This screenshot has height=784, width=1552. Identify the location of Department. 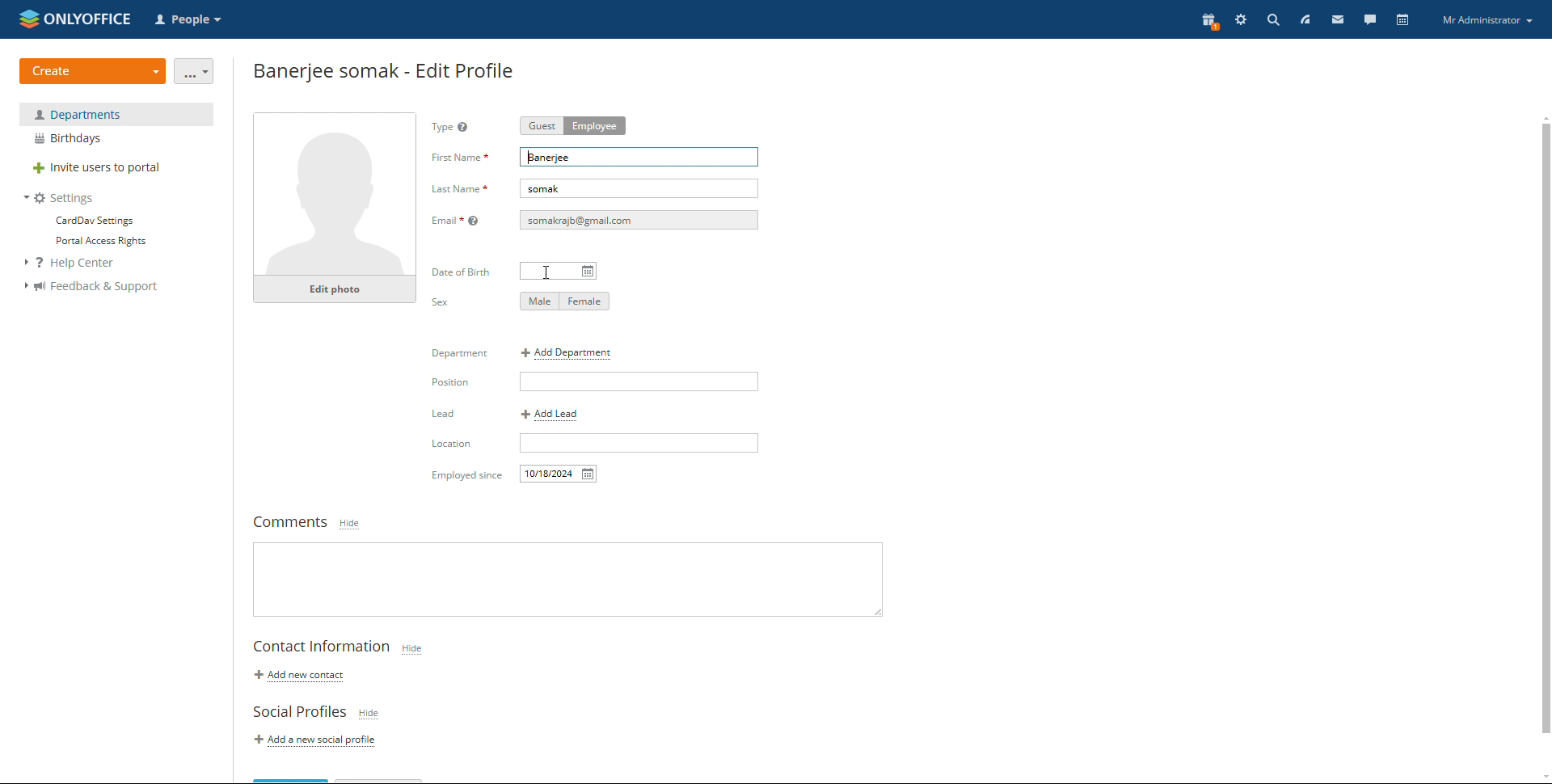
(457, 355).